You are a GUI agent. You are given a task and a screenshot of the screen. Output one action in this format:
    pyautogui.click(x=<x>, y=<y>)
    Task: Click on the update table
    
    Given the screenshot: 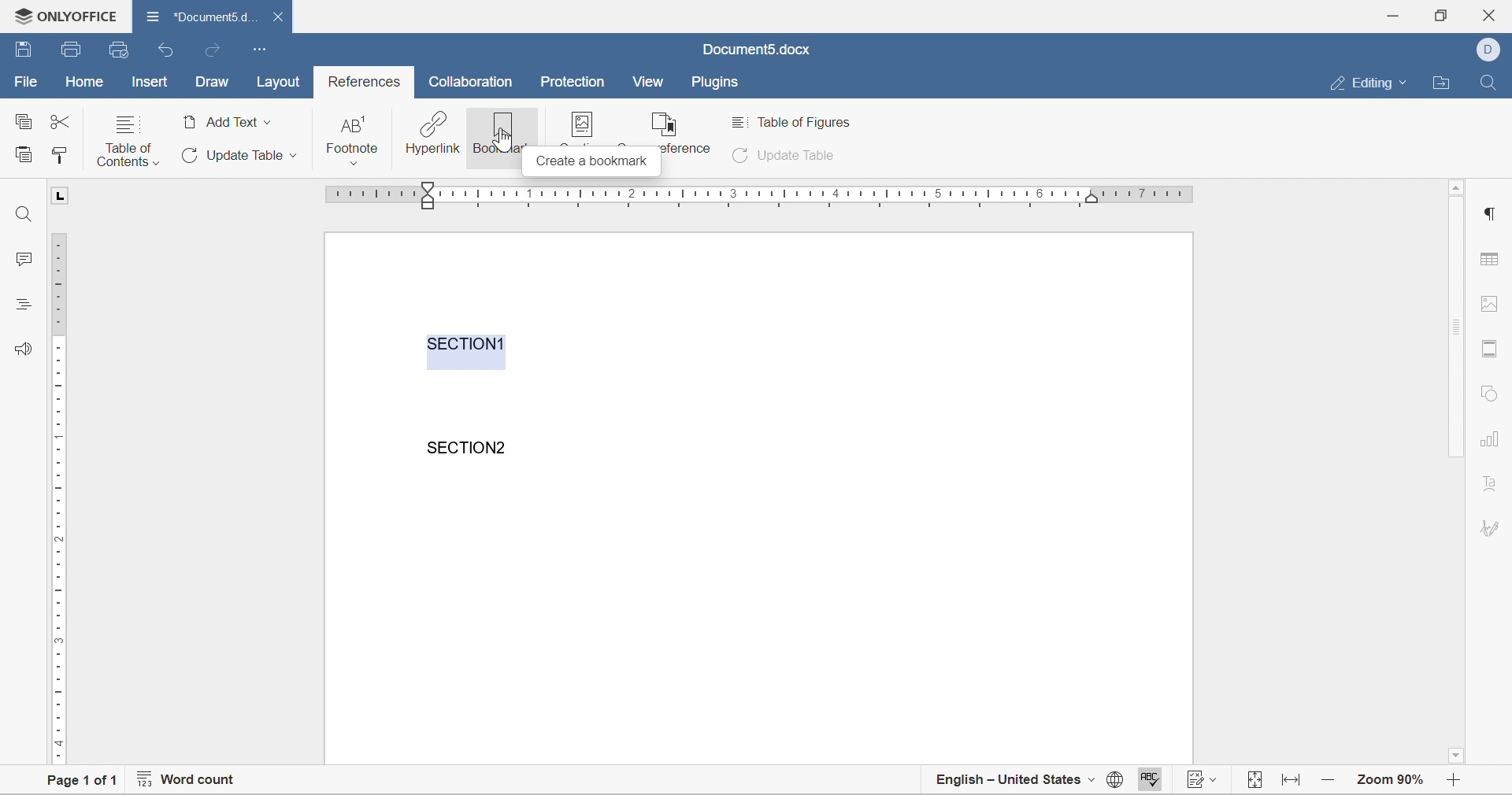 What is the action you would take?
    pyautogui.click(x=787, y=157)
    